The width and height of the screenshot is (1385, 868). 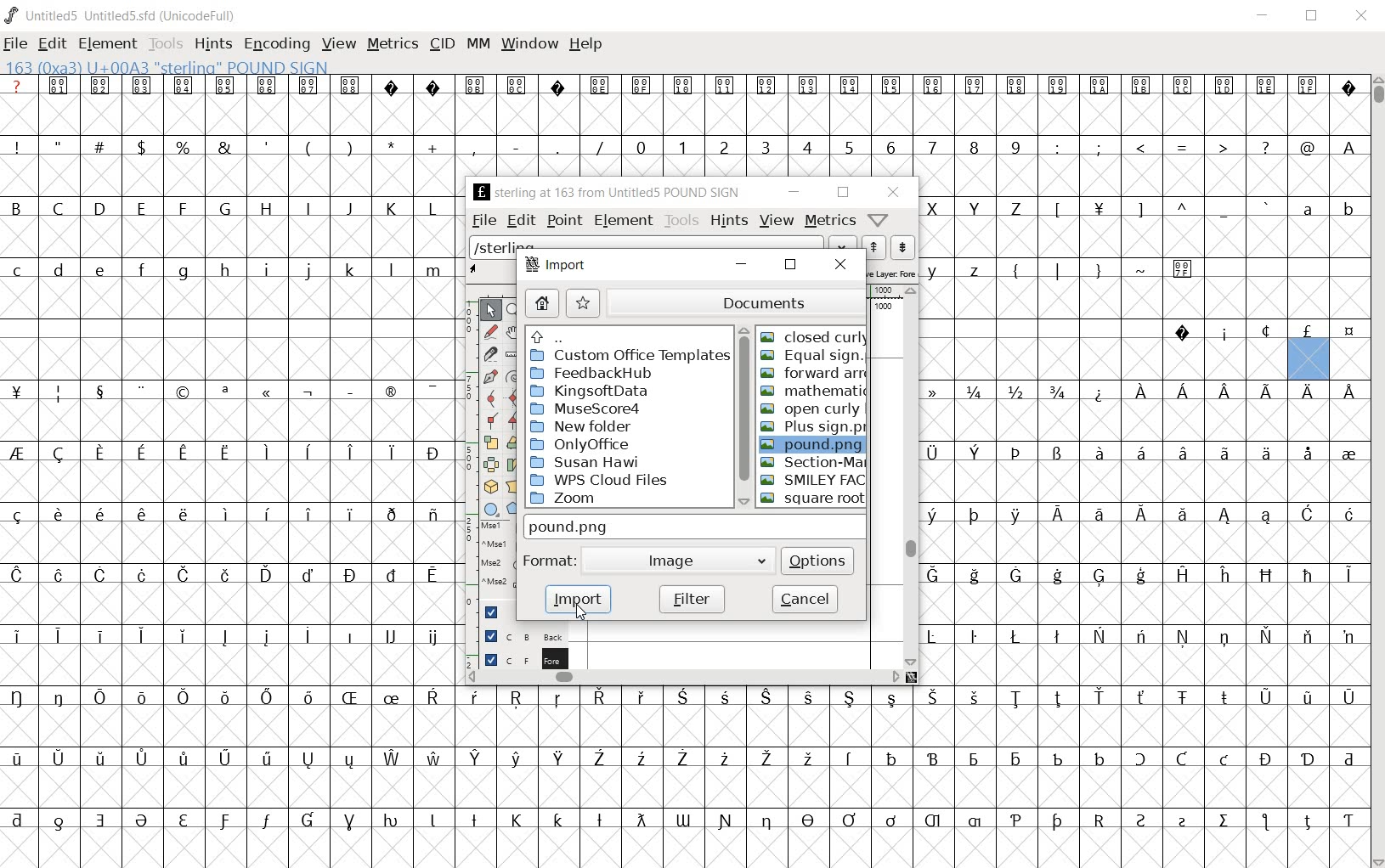 What do you see at coordinates (308, 513) in the screenshot?
I see `Symbol` at bounding box center [308, 513].